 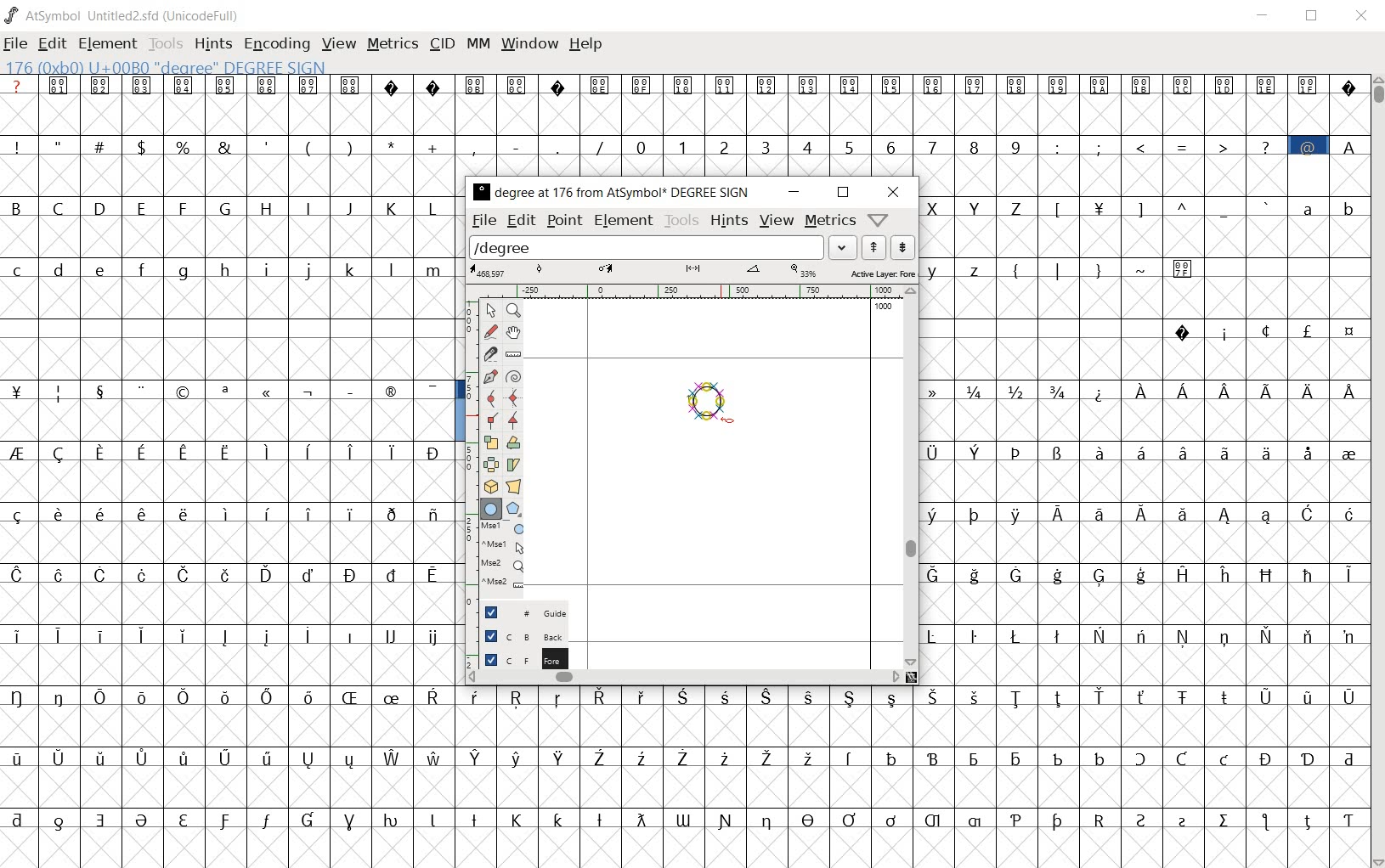 What do you see at coordinates (1144, 542) in the screenshot?
I see `empty glyph slots` at bounding box center [1144, 542].